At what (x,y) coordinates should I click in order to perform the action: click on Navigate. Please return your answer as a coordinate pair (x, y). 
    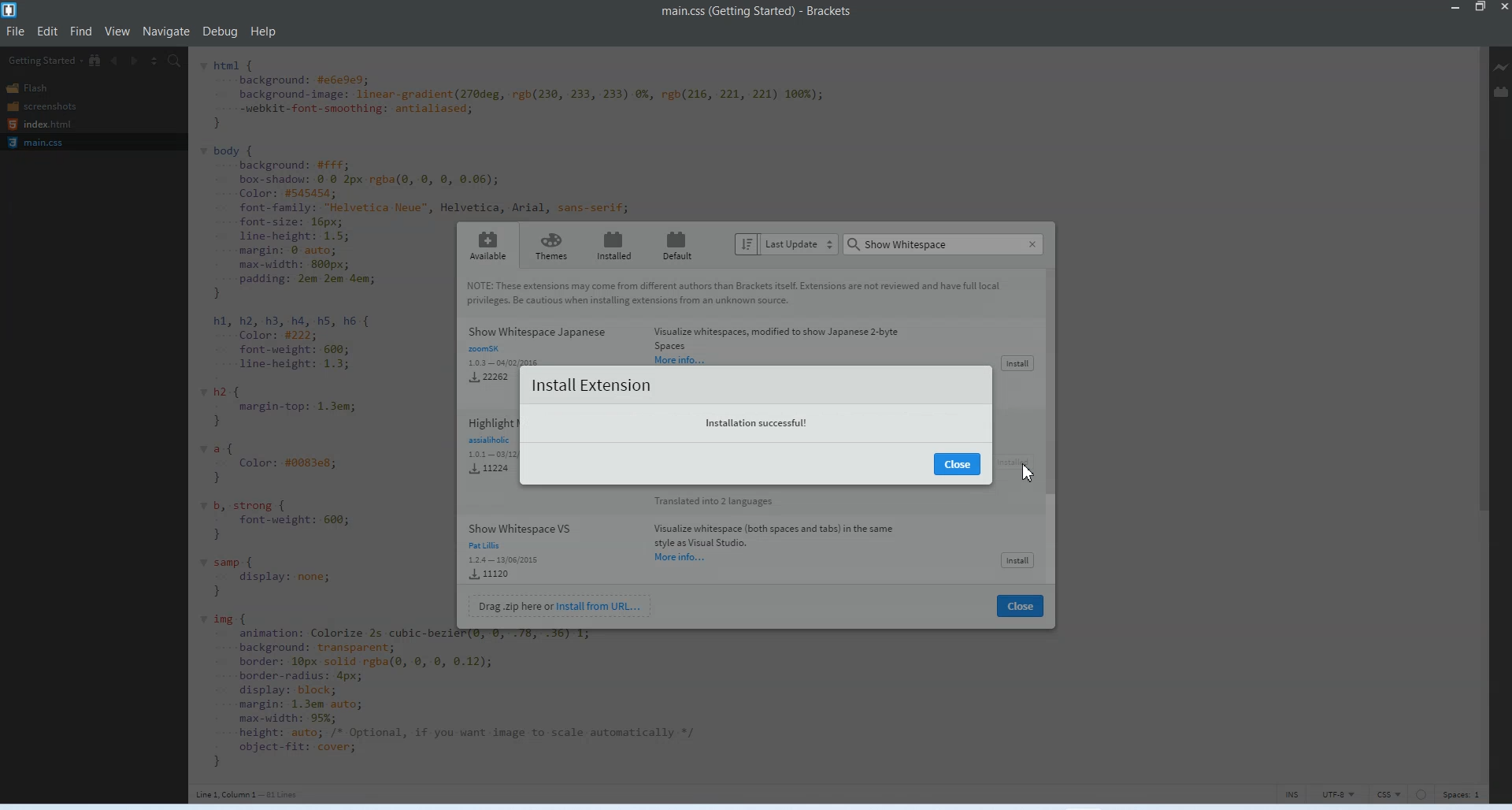
    Looking at the image, I should click on (168, 32).